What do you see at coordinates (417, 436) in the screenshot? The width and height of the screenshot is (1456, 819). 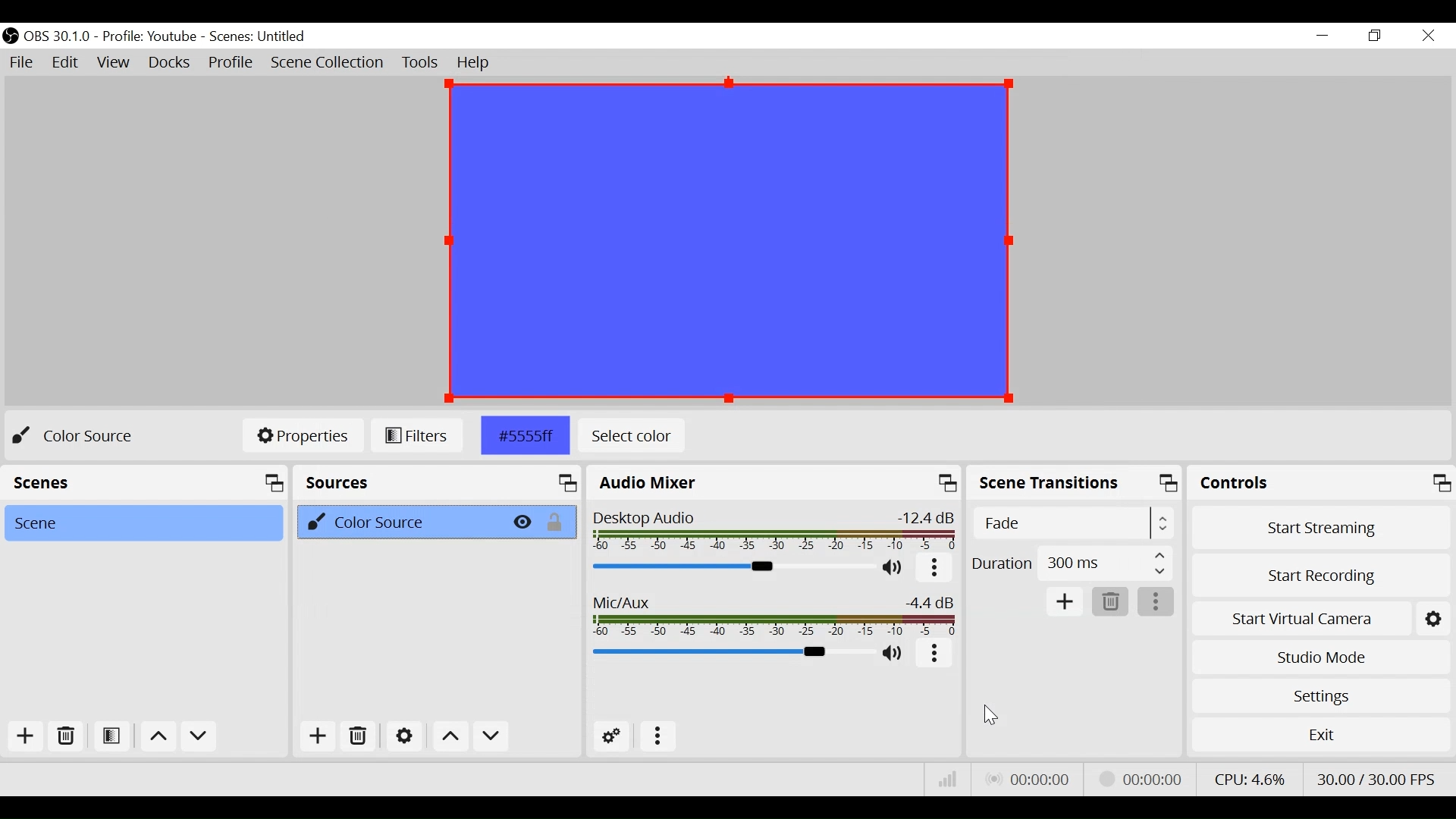 I see `Filters` at bounding box center [417, 436].